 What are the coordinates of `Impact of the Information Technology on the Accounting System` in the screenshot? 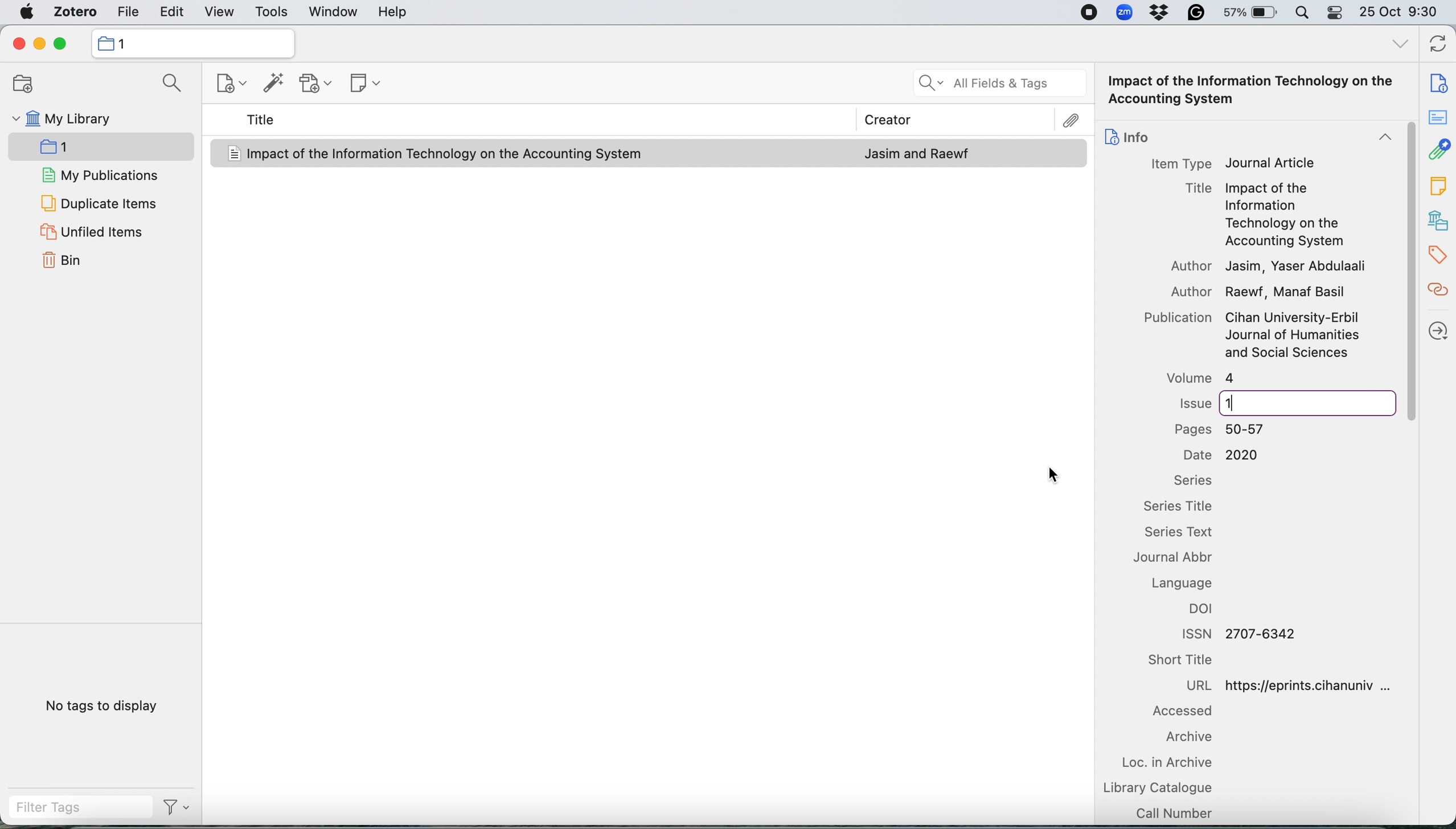 It's located at (1284, 216).